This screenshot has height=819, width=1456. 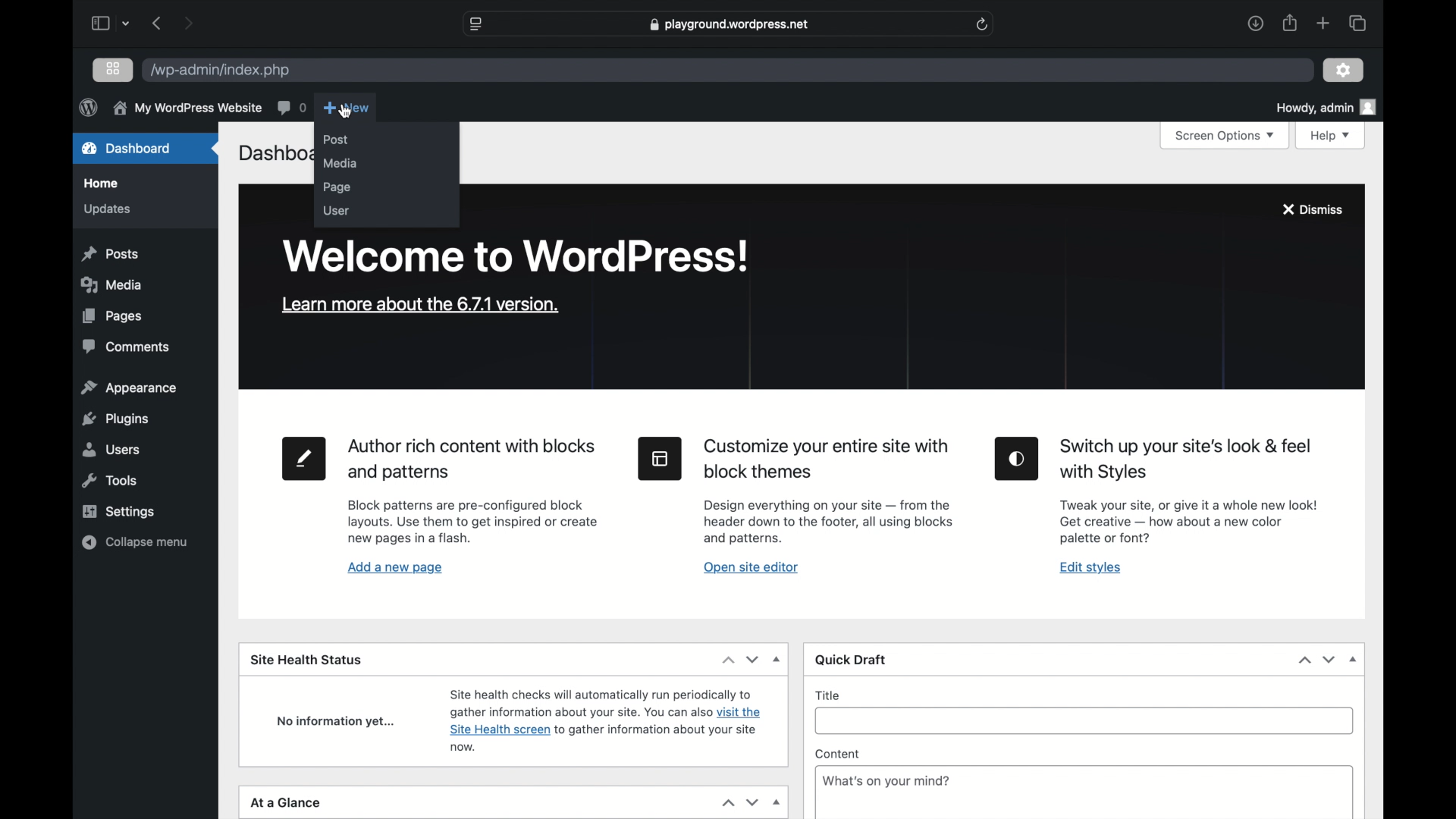 What do you see at coordinates (828, 521) in the screenshot?
I see `info site editor tool information` at bounding box center [828, 521].